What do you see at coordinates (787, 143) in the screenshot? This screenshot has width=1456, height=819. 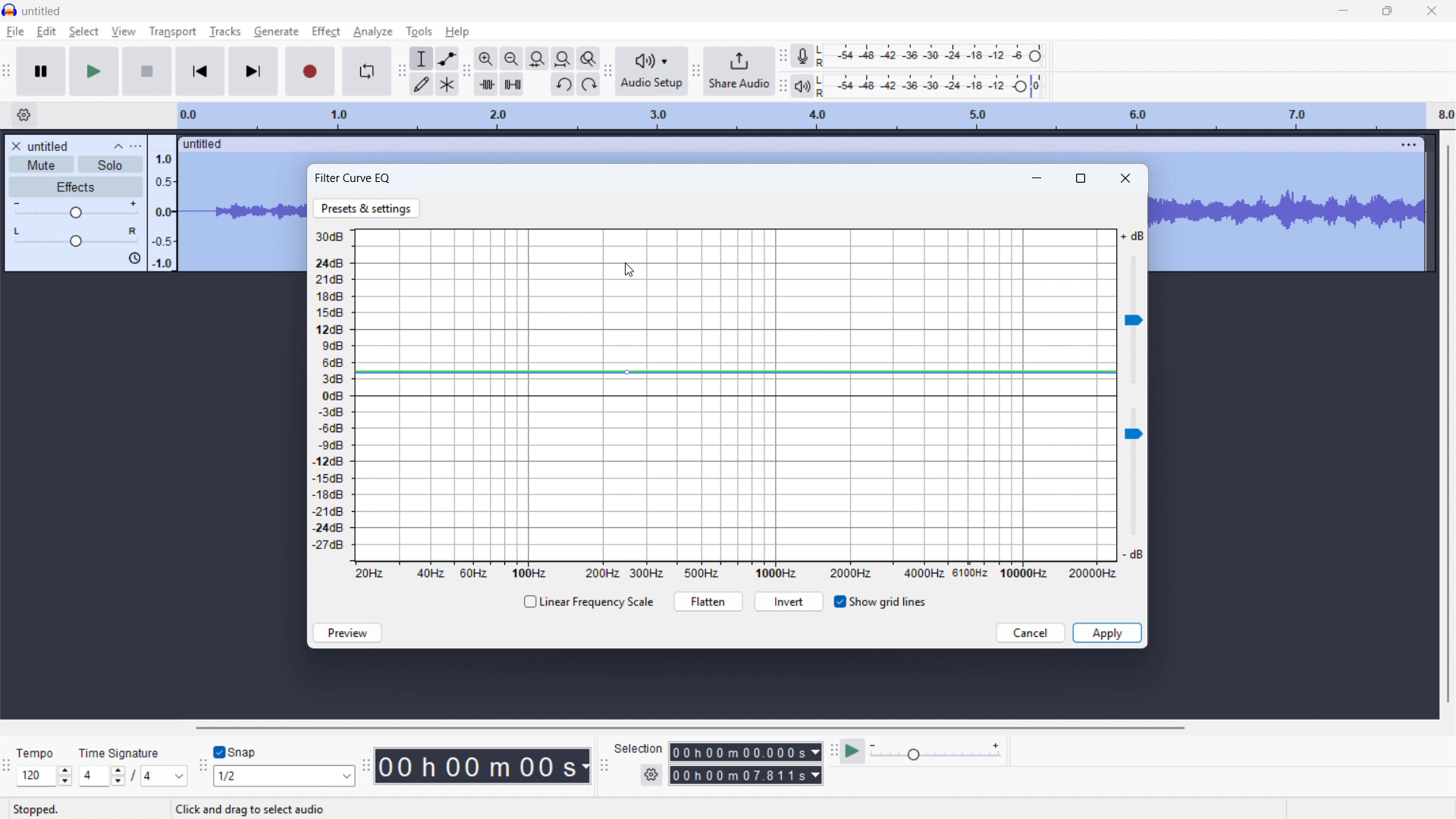 I see `Click to drag ` at bounding box center [787, 143].